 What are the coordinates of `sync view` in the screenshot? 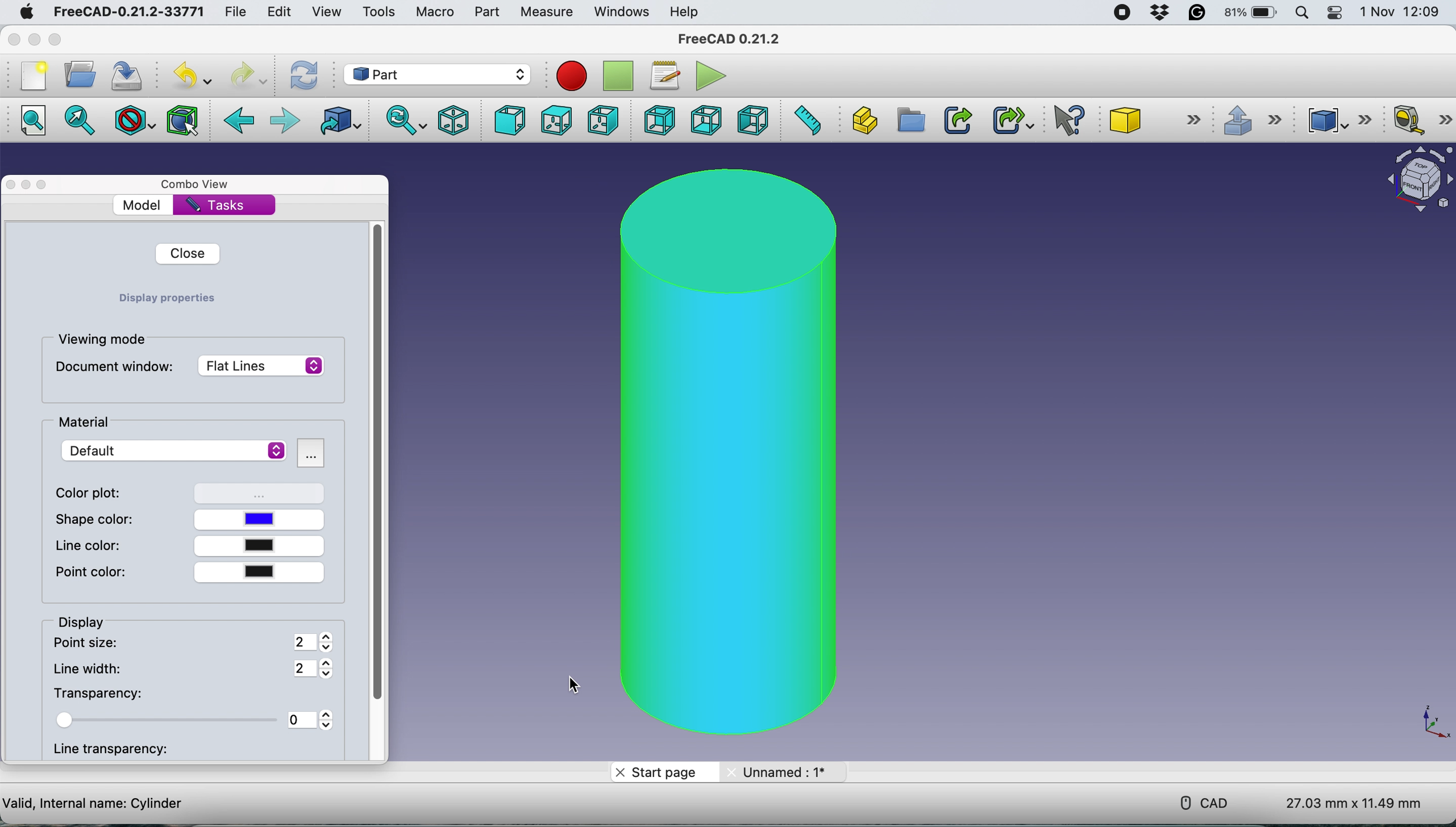 It's located at (403, 120).